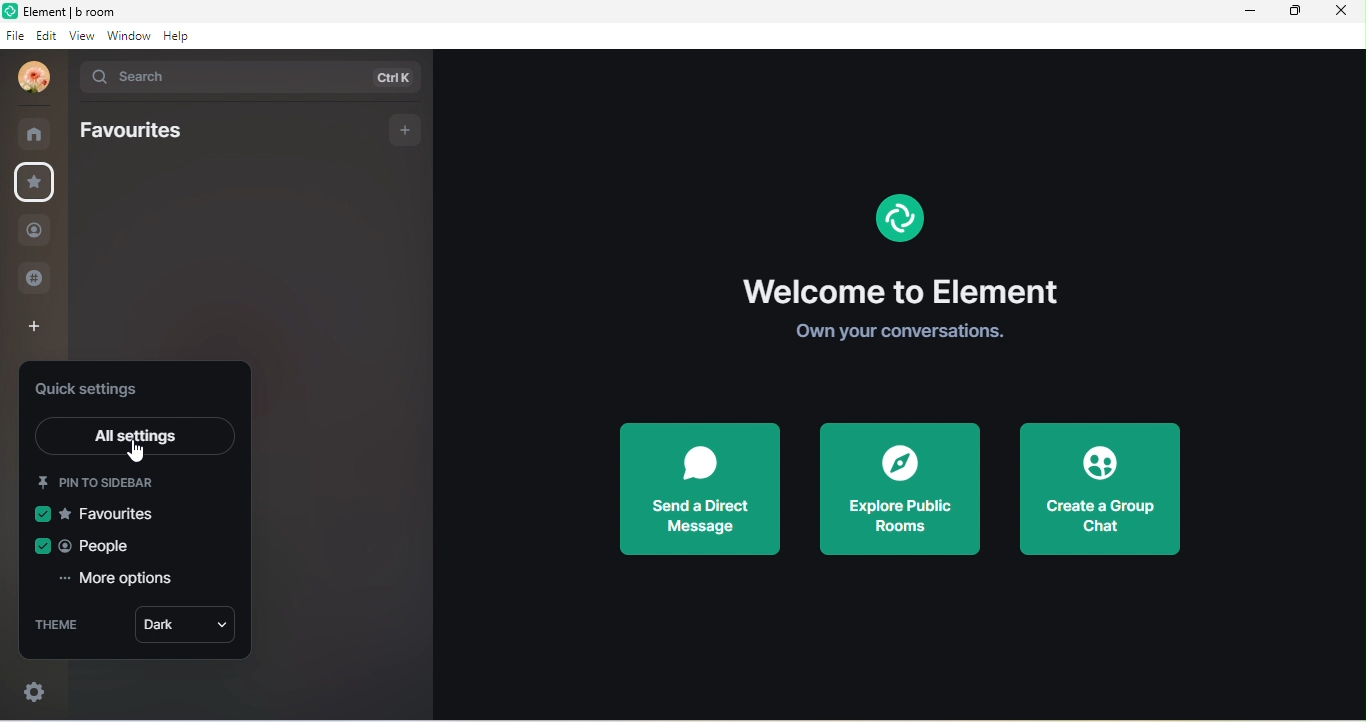  I want to click on element logo, so click(9, 10).